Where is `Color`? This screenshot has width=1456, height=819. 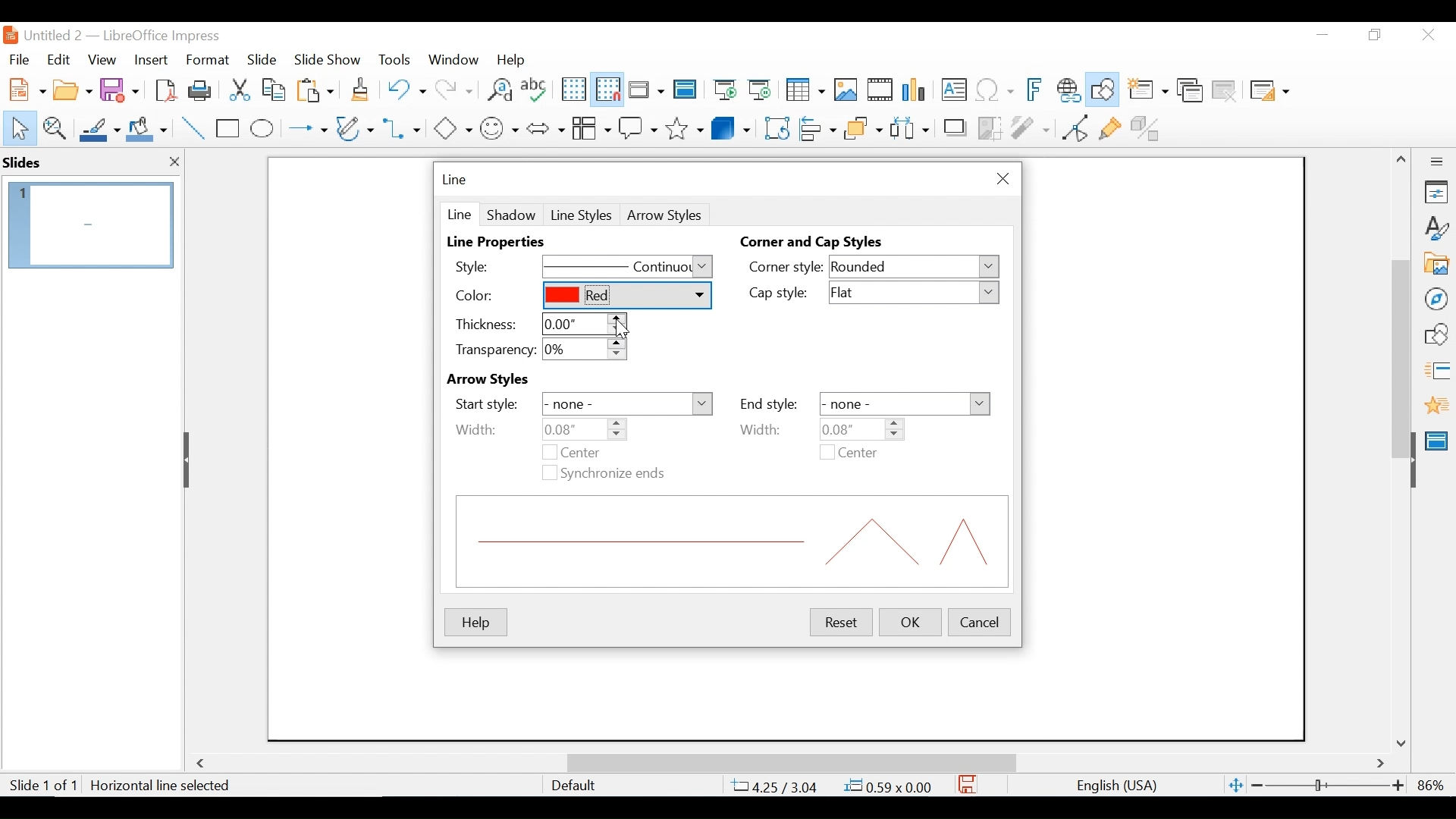 Color is located at coordinates (493, 296).